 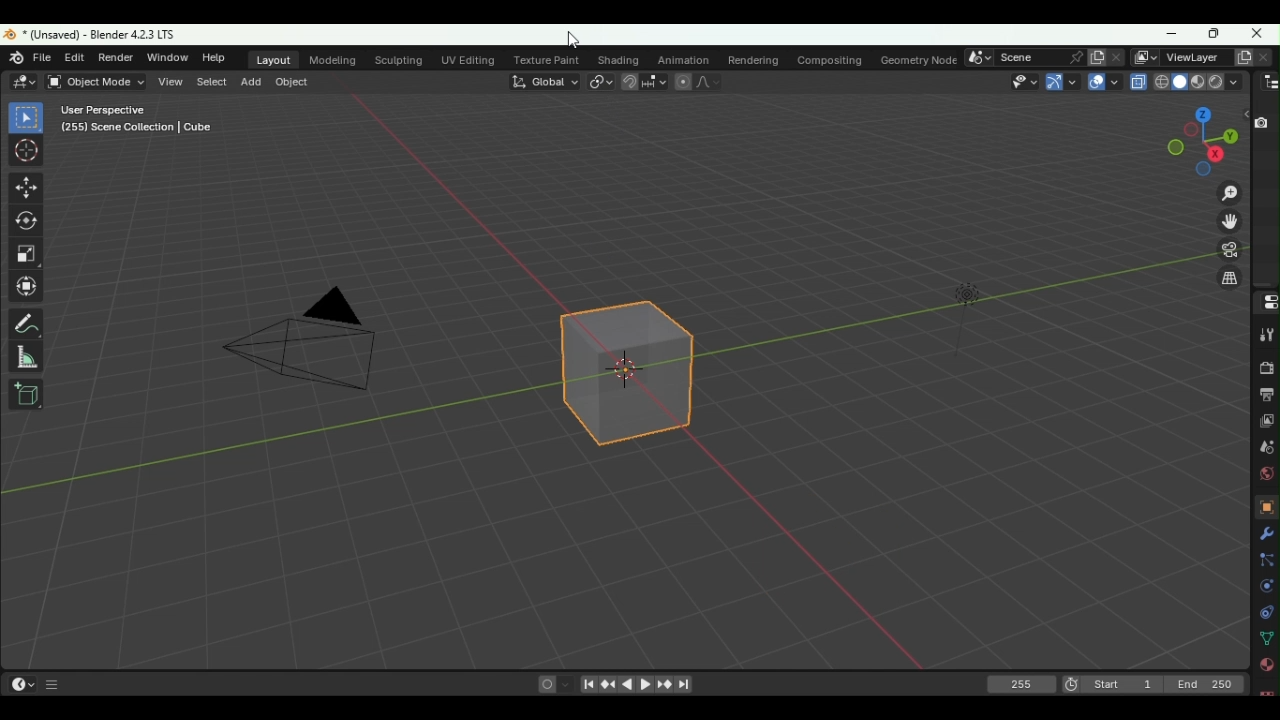 What do you see at coordinates (546, 683) in the screenshot?
I see `Auto keying` at bounding box center [546, 683].